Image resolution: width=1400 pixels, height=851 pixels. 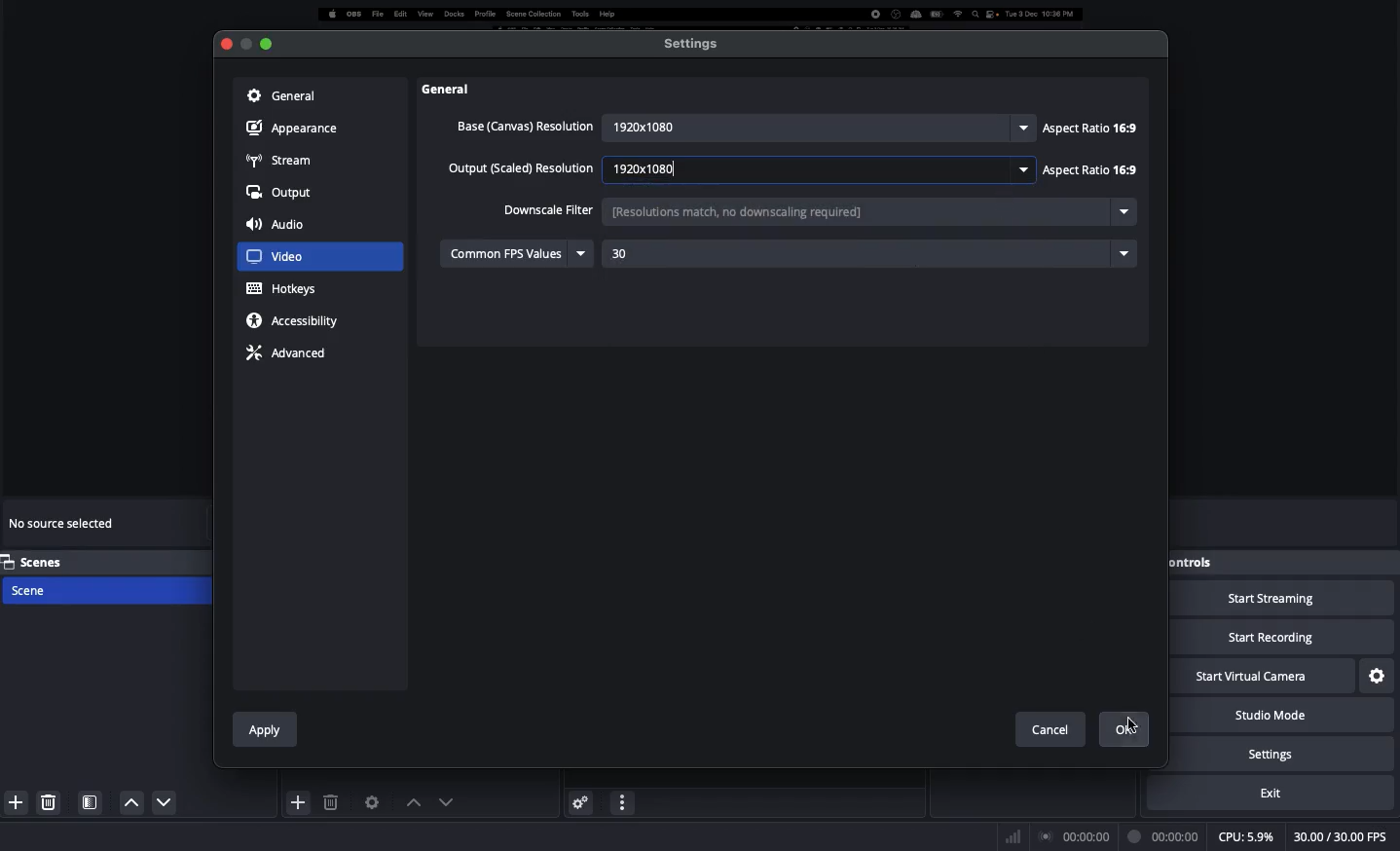 I want to click on Up, so click(x=159, y=804).